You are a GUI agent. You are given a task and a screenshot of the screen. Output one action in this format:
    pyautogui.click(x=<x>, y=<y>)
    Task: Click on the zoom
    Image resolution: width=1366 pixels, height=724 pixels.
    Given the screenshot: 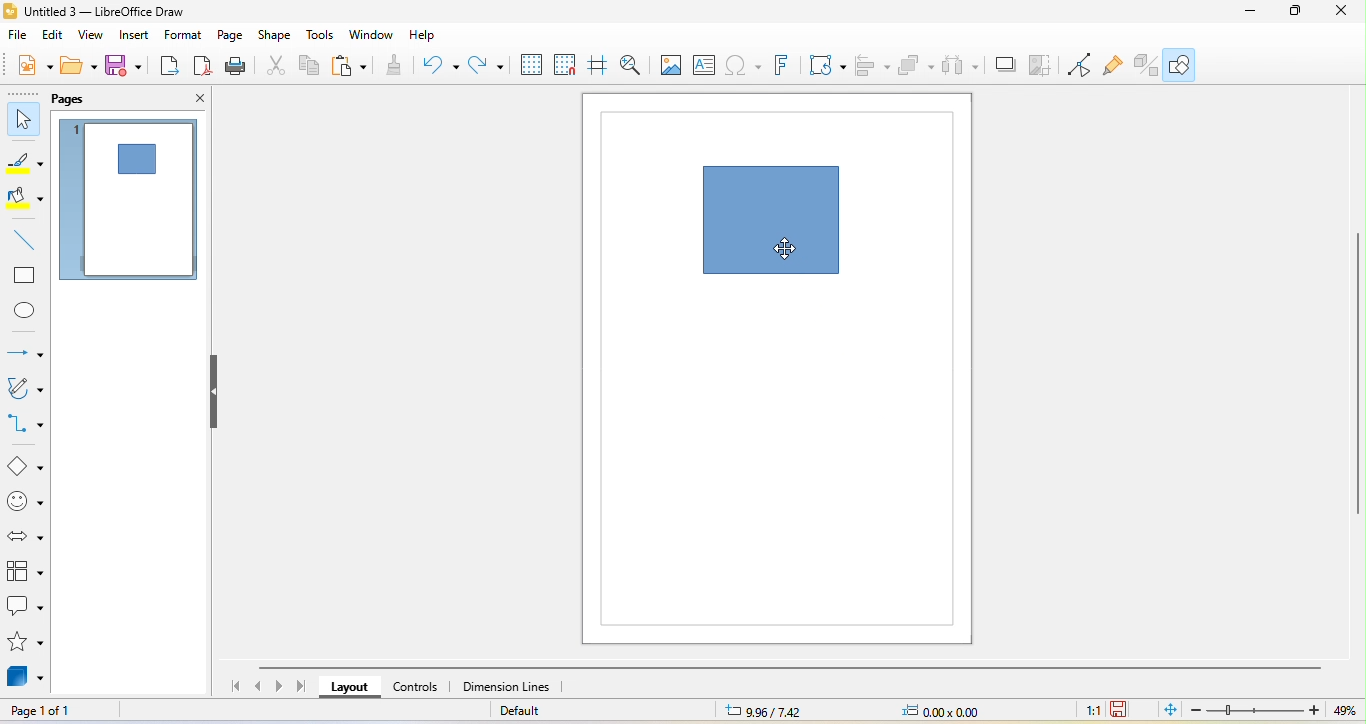 What is the action you would take?
    pyautogui.click(x=1271, y=712)
    